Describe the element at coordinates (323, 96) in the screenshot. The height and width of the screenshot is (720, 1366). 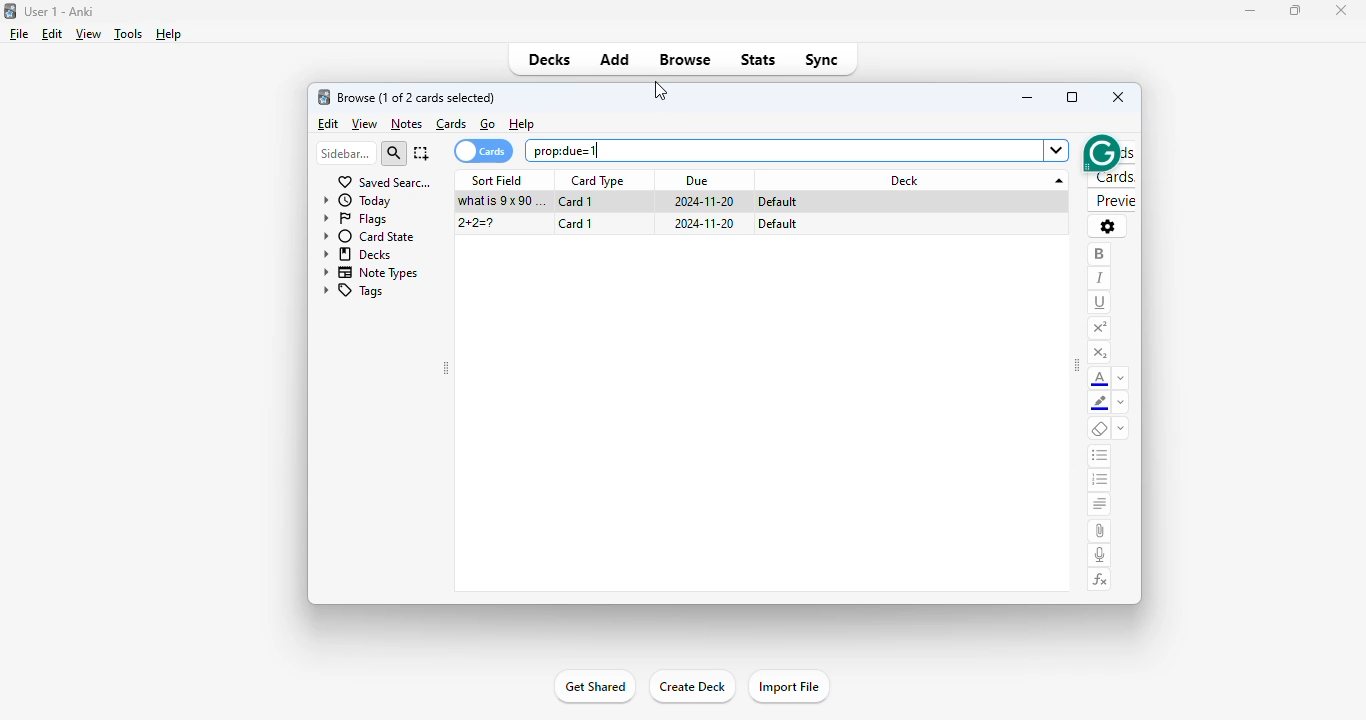
I see `logo` at that location.